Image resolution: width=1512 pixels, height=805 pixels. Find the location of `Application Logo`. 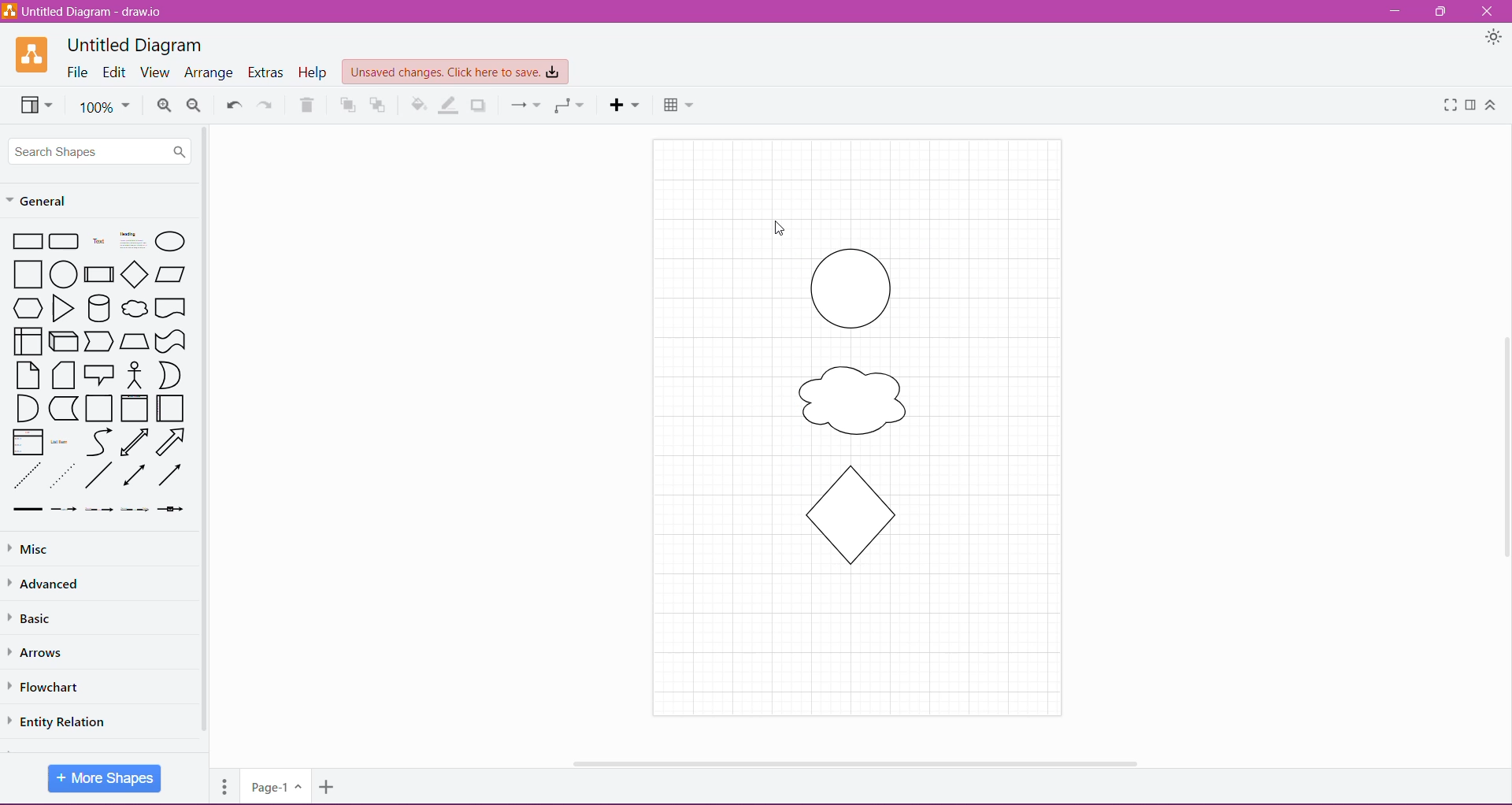

Application Logo is located at coordinates (33, 54).